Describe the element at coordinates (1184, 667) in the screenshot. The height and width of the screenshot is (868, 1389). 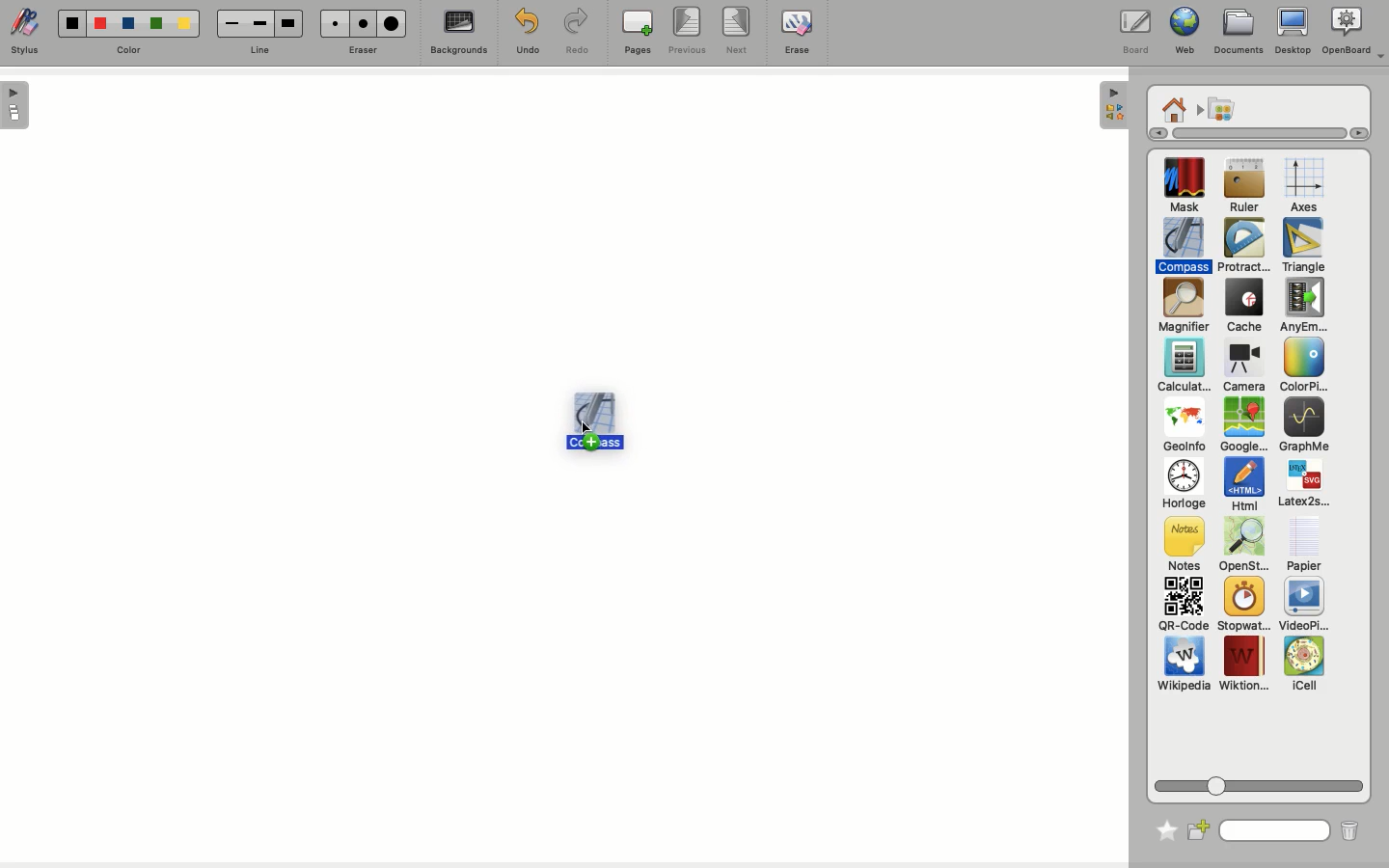
I see `Wikipedia` at that location.